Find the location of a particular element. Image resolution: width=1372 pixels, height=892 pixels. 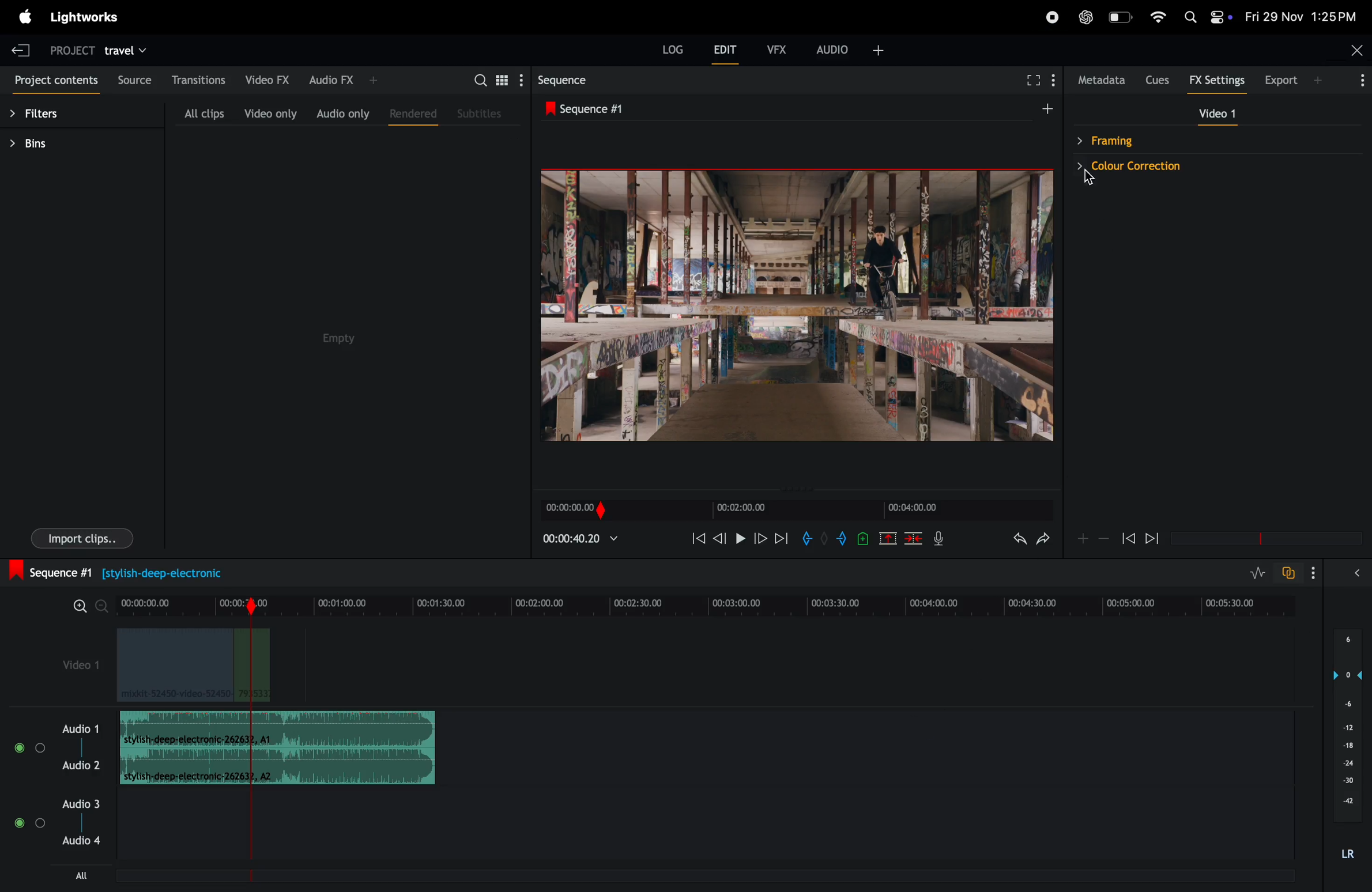

rendered is located at coordinates (413, 115).